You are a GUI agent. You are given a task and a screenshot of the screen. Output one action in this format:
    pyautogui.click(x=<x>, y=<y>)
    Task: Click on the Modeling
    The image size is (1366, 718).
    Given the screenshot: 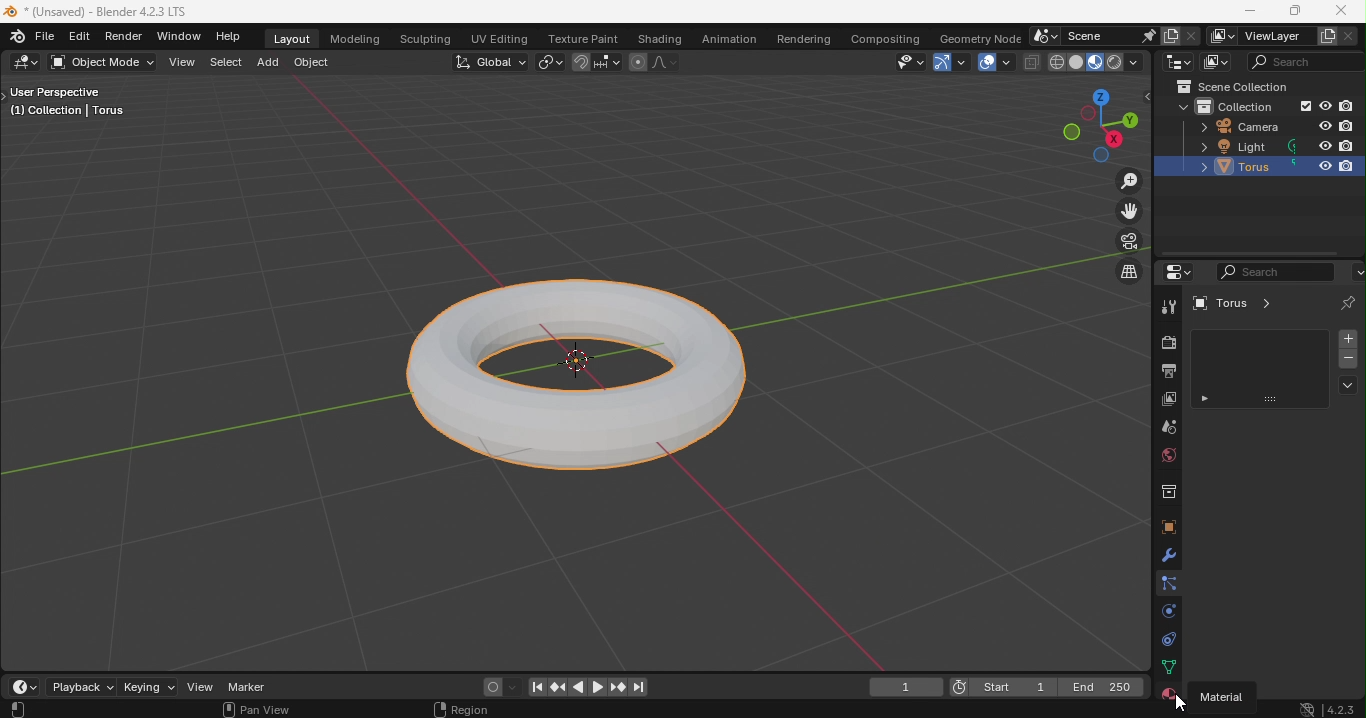 What is the action you would take?
    pyautogui.click(x=356, y=39)
    